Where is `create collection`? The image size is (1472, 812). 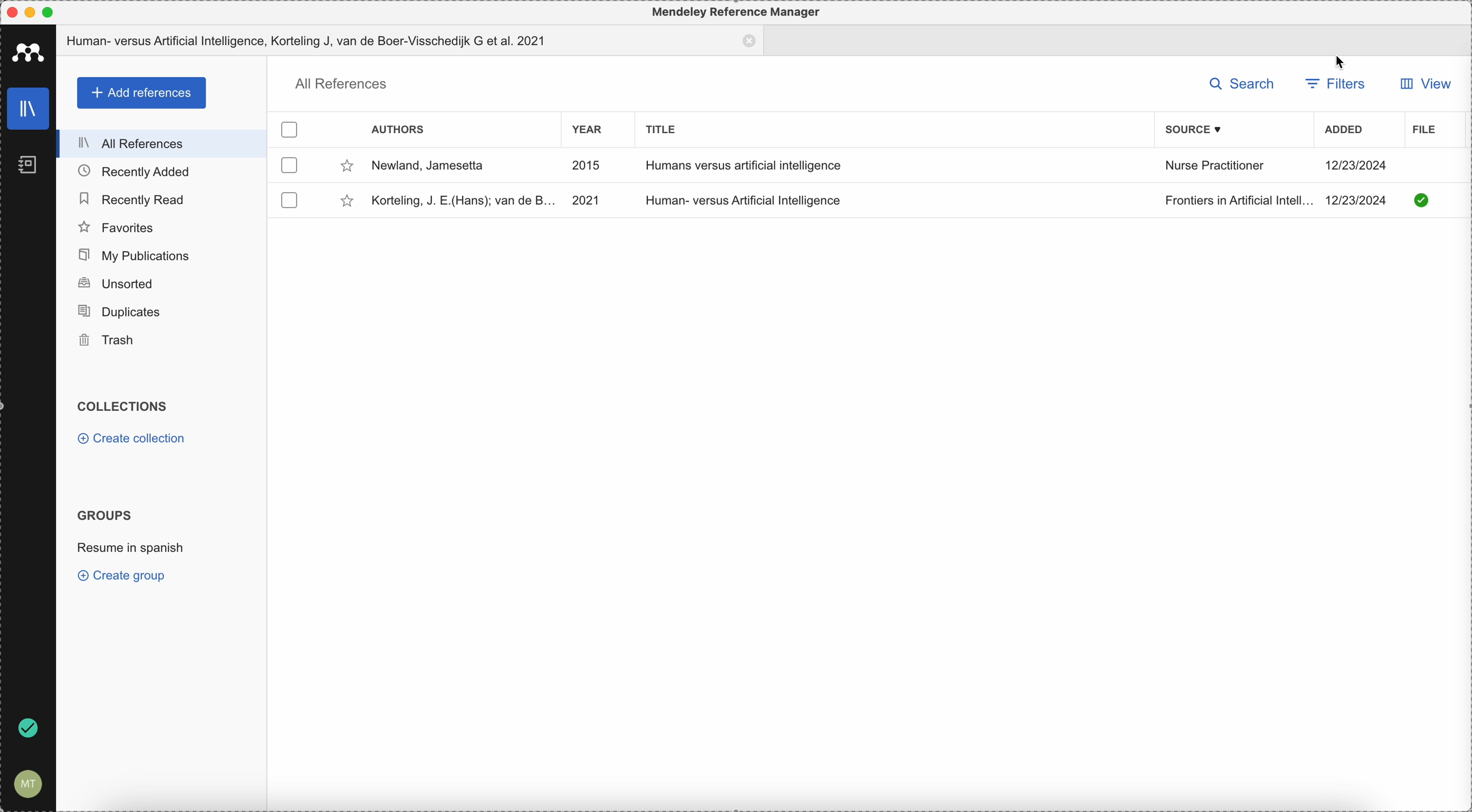 create collection is located at coordinates (131, 439).